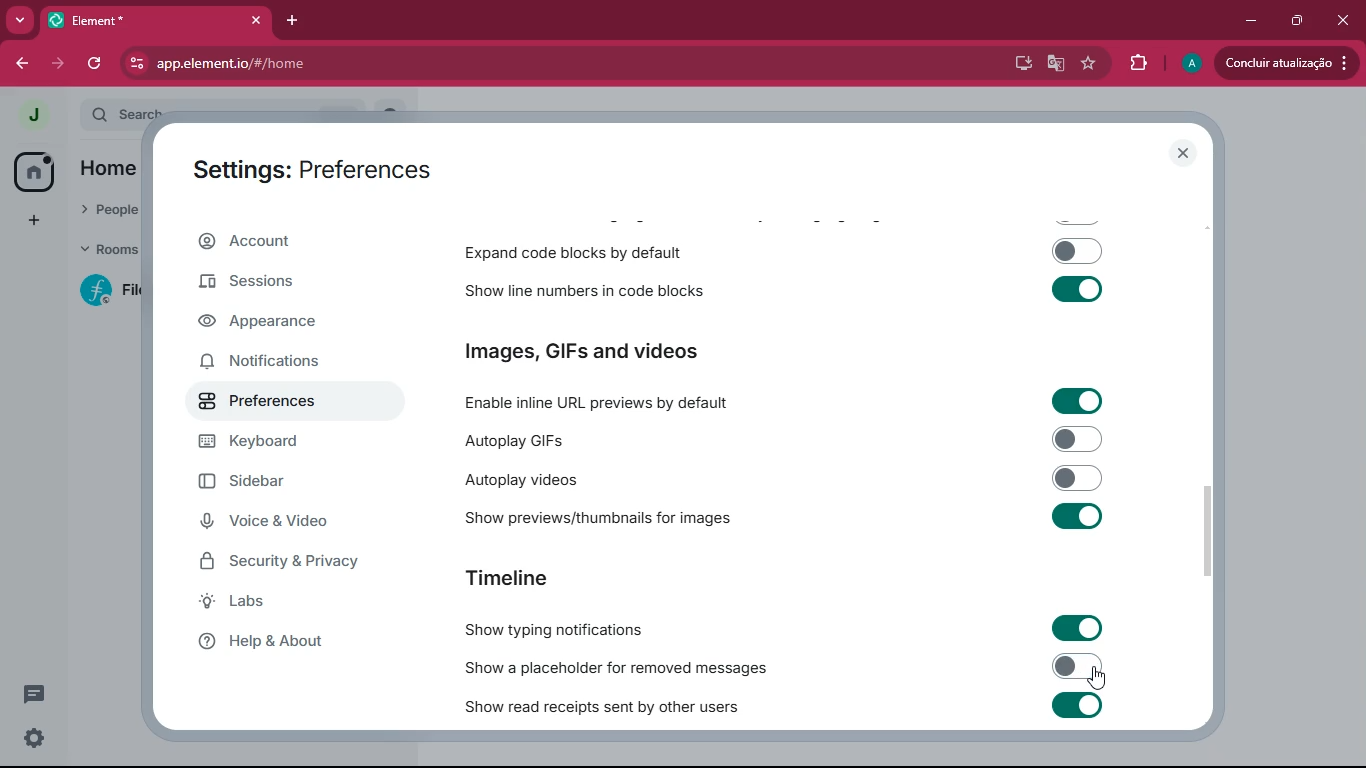  Describe the element at coordinates (1209, 531) in the screenshot. I see `scroll bar` at that location.